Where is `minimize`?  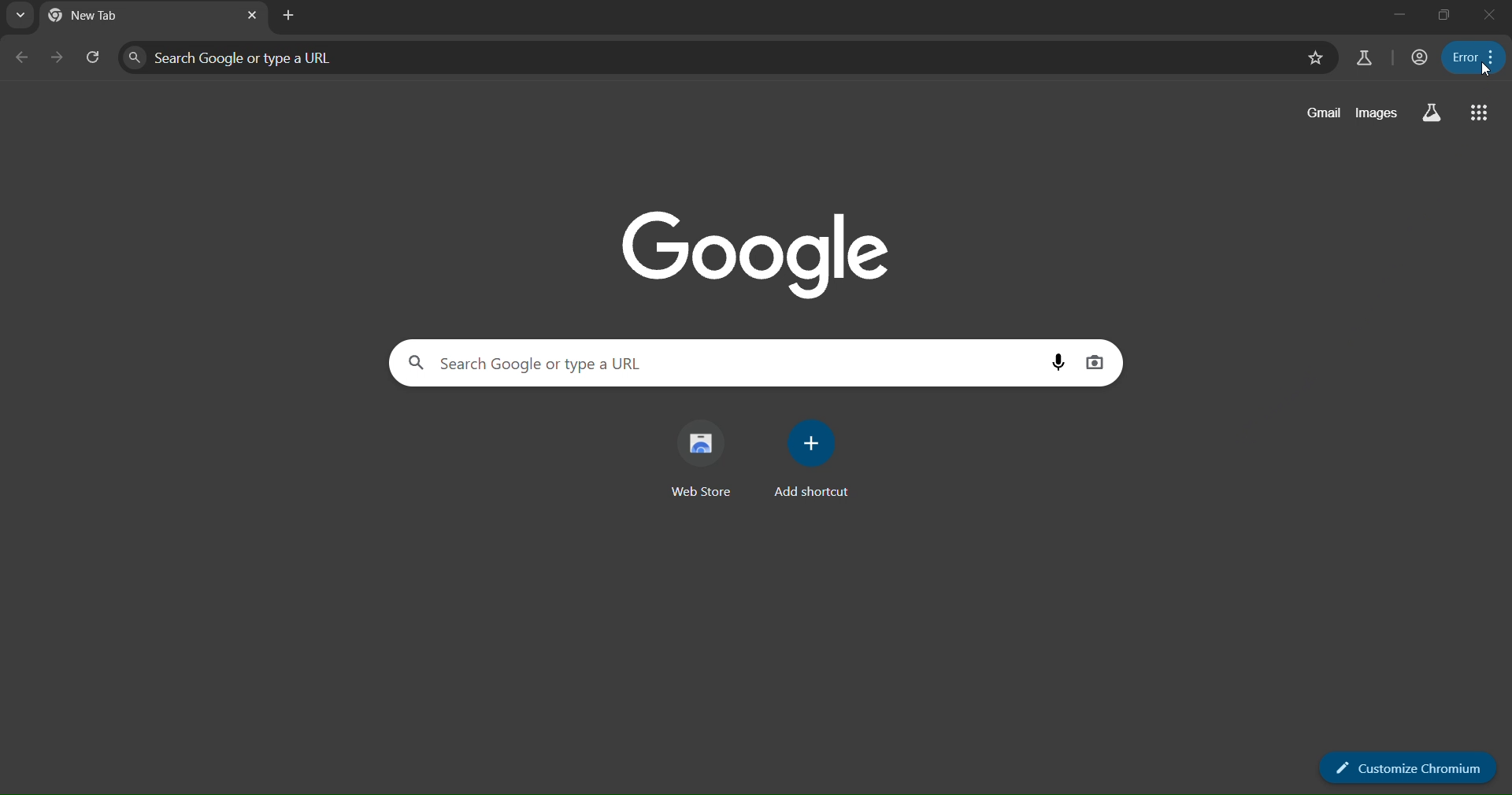 minimize is located at coordinates (1400, 14).